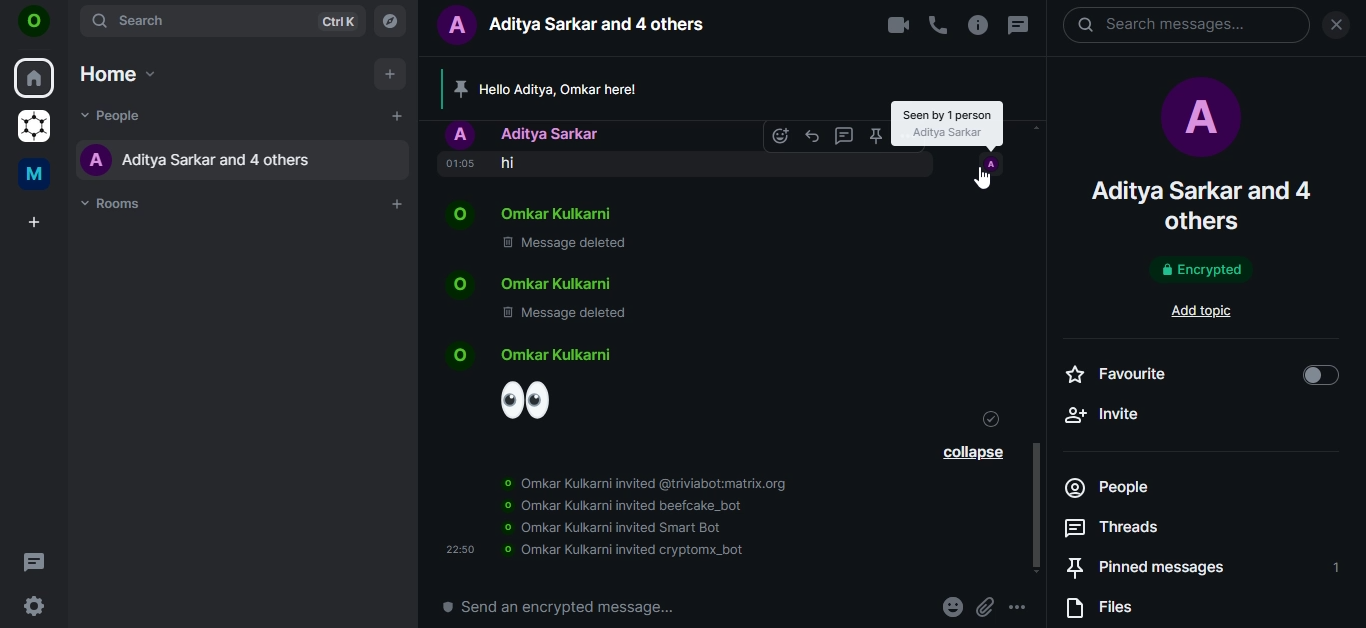  Describe the element at coordinates (1202, 205) in the screenshot. I see `aditya sarkar and 3 others` at that location.